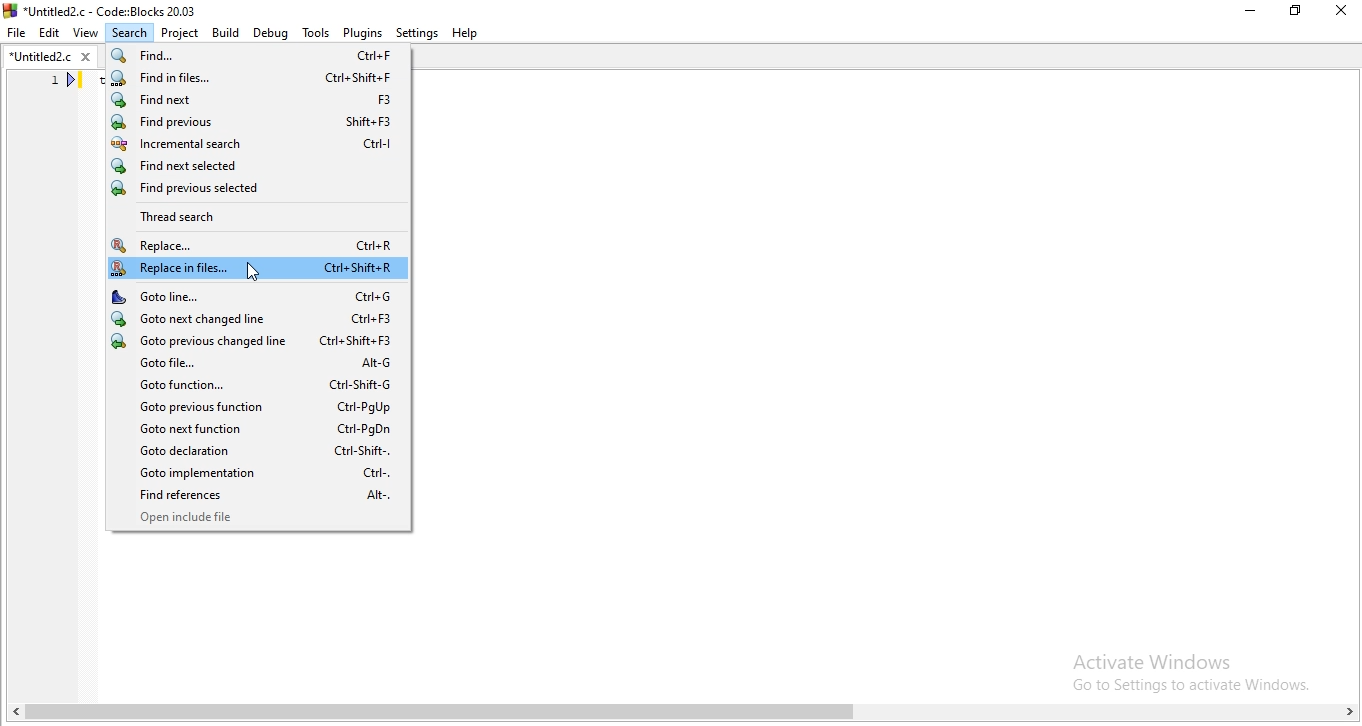 This screenshot has width=1362, height=726. Describe the element at coordinates (257, 473) in the screenshot. I see `Goto implementation` at that location.